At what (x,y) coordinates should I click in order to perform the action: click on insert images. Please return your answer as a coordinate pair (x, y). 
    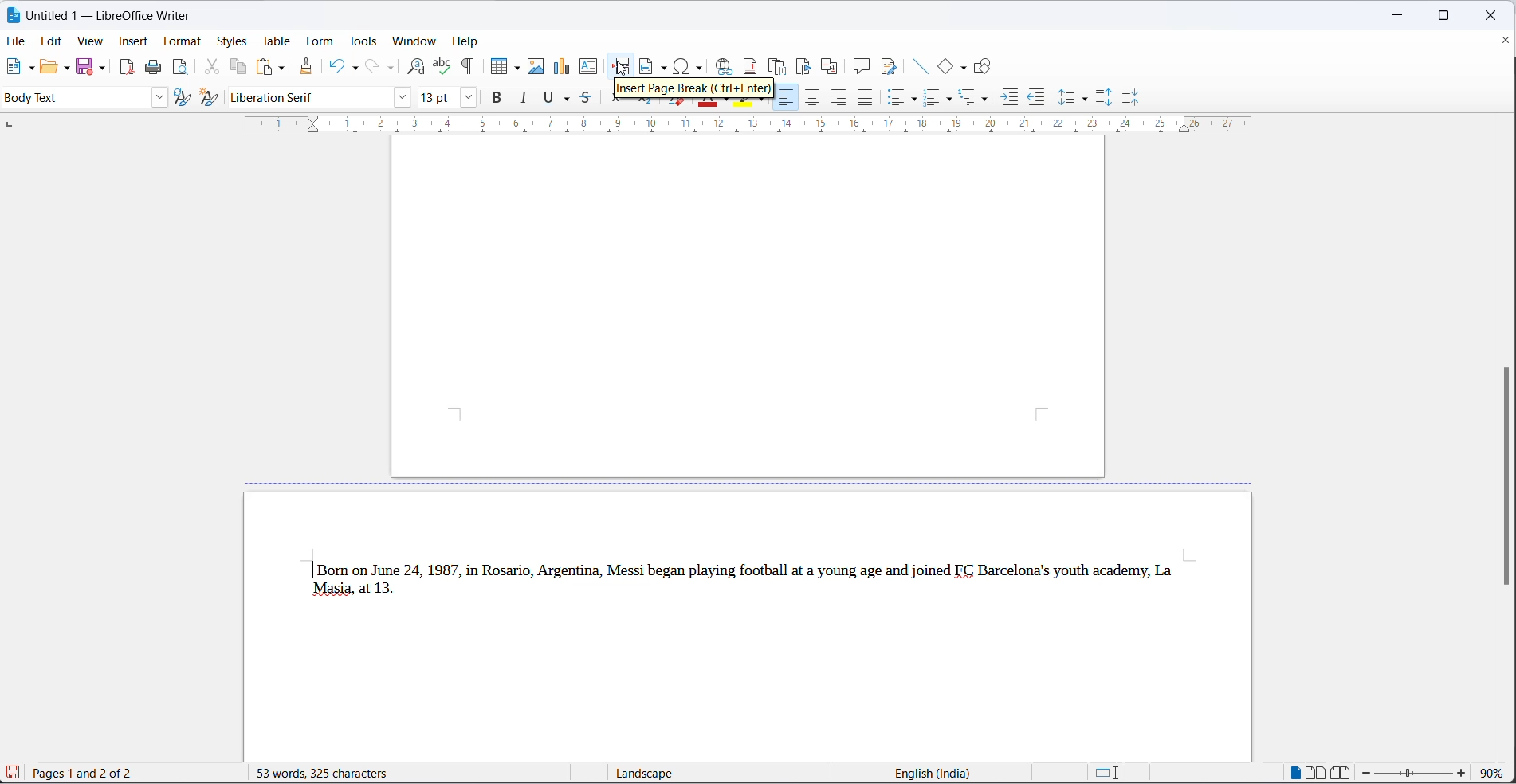
    Looking at the image, I should click on (536, 67).